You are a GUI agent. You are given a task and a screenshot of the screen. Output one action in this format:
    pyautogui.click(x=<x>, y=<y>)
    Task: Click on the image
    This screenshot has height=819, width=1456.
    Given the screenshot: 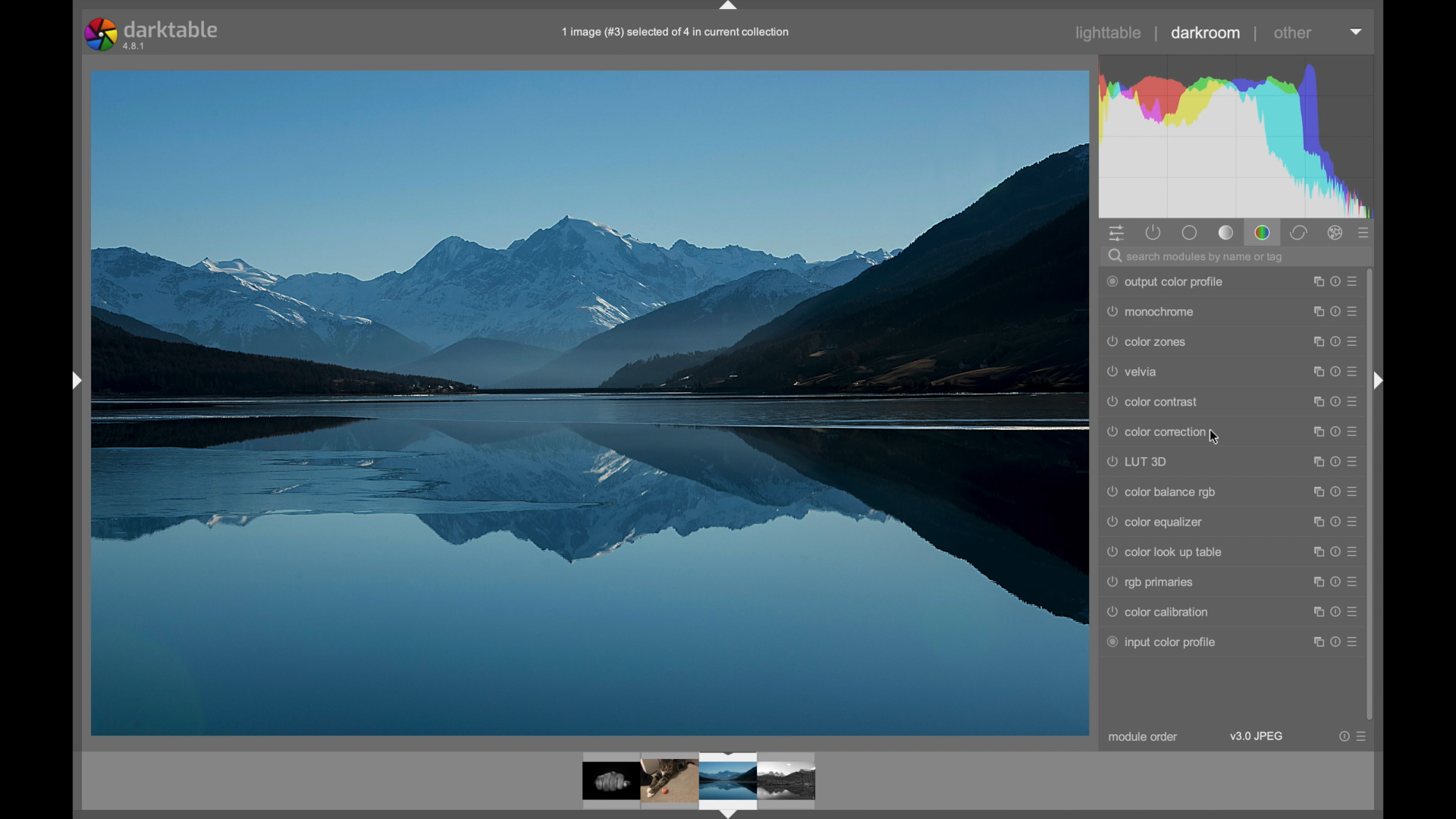 What is the action you would take?
    pyautogui.click(x=789, y=780)
    